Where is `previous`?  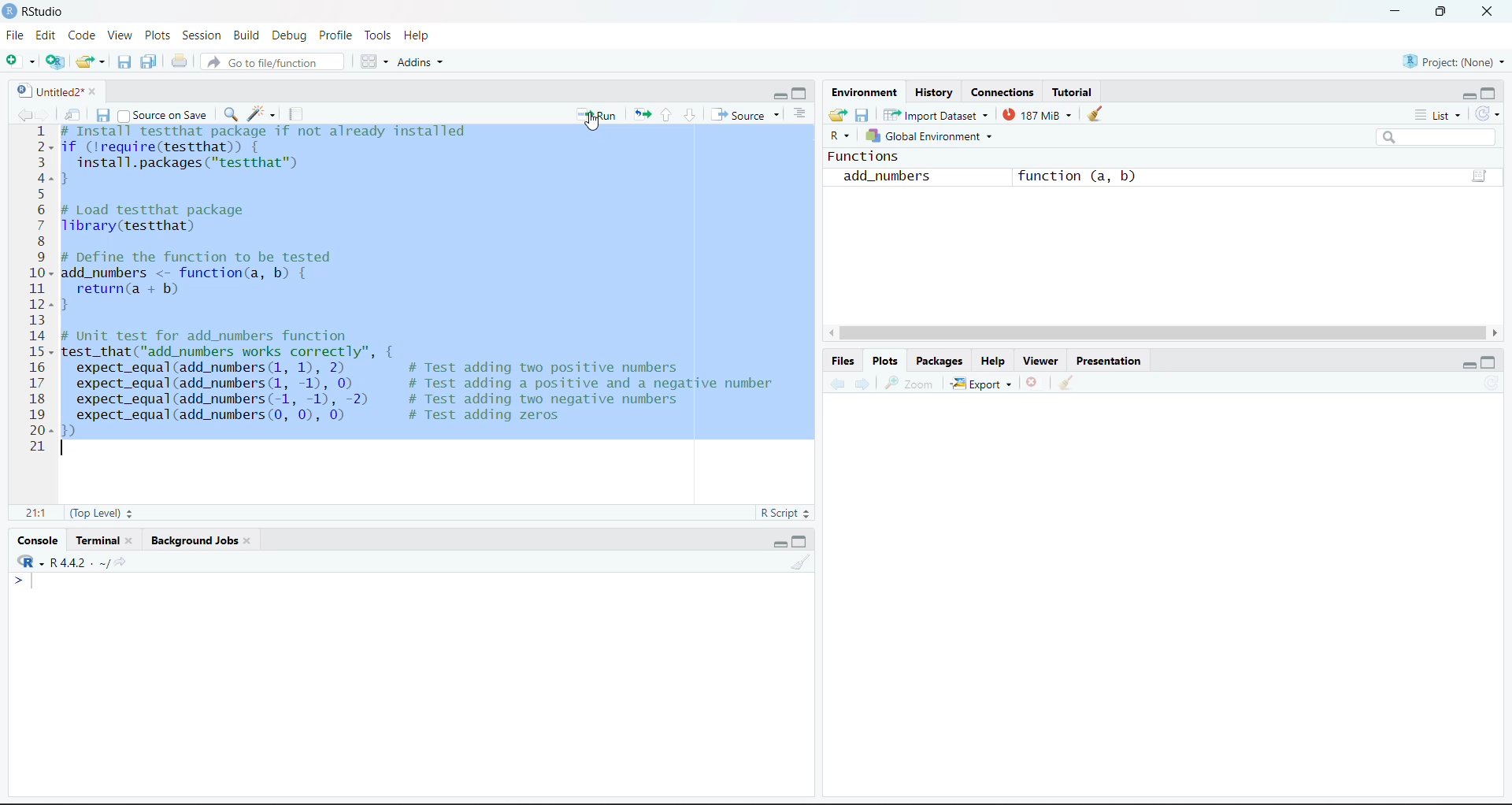 previous is located at coordinates (24, 115).